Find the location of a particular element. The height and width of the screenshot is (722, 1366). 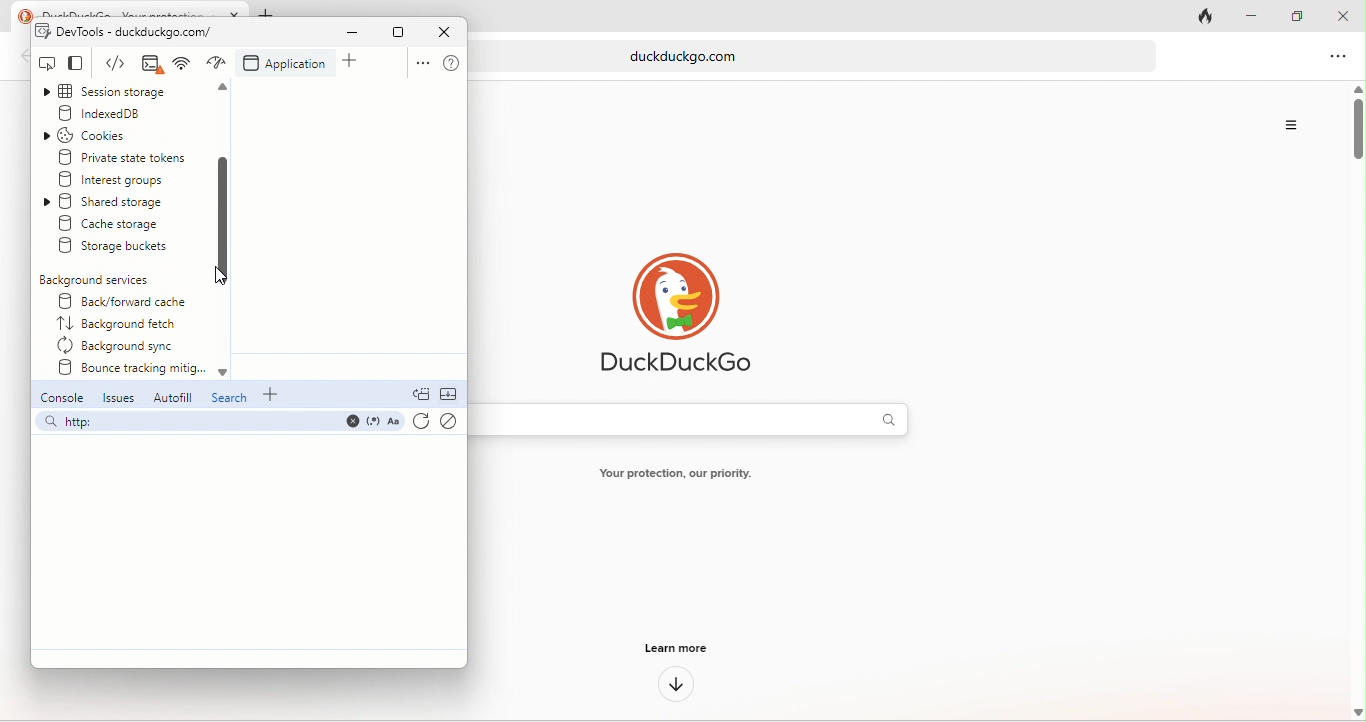

minimize is located at coordinates (1244, 17).